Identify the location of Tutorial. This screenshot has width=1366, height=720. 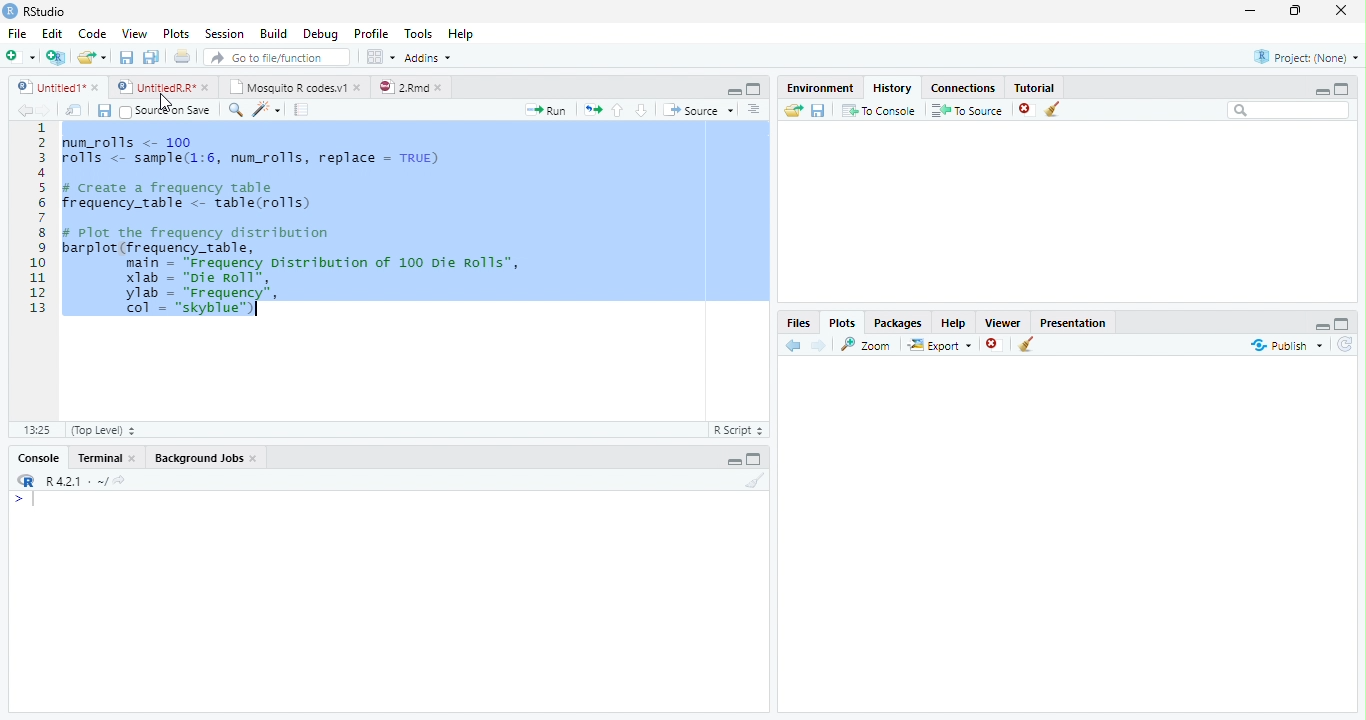
(1034, 86).